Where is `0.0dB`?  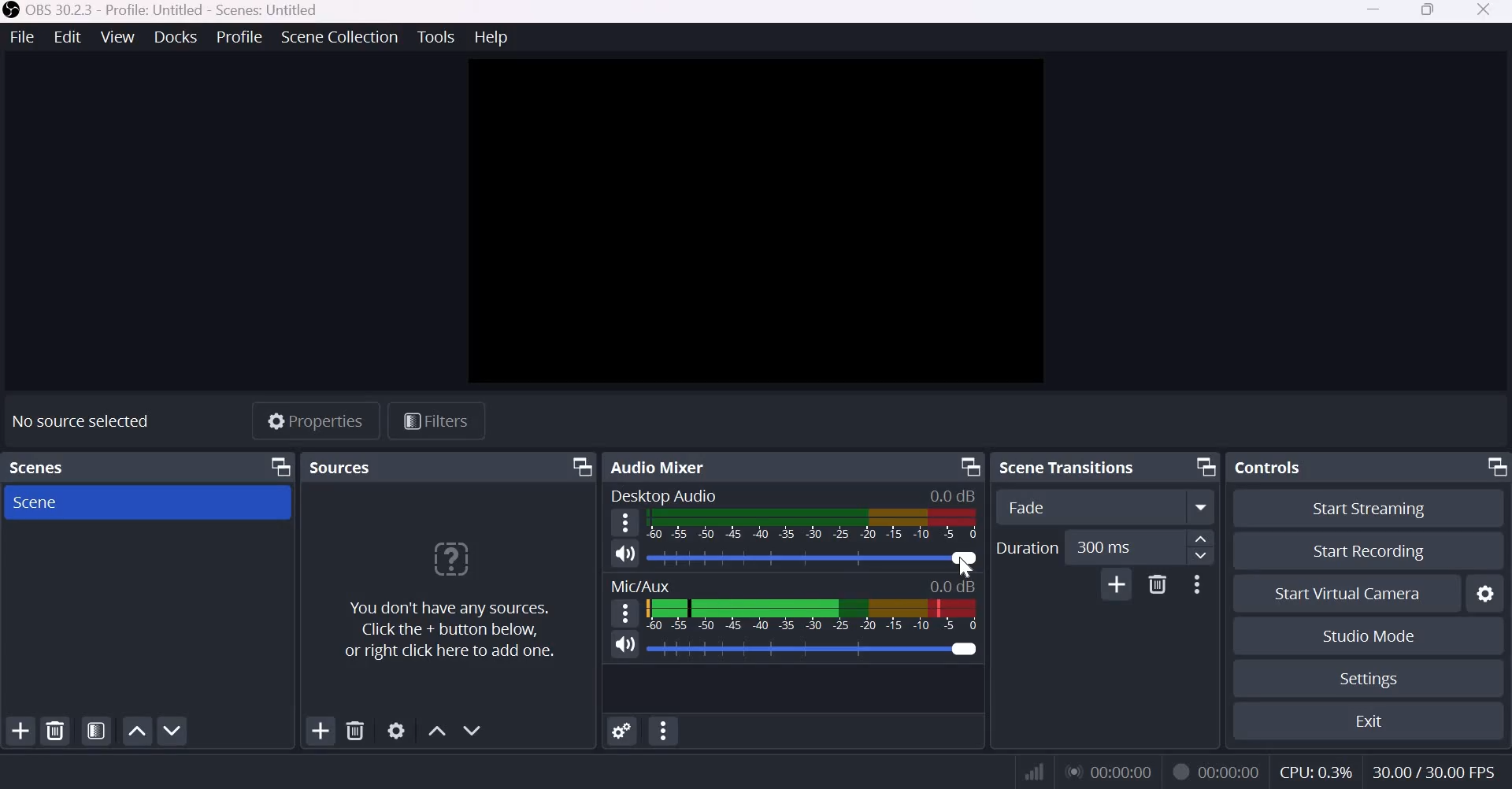
0.0dB is located at coordinates (952, 496).